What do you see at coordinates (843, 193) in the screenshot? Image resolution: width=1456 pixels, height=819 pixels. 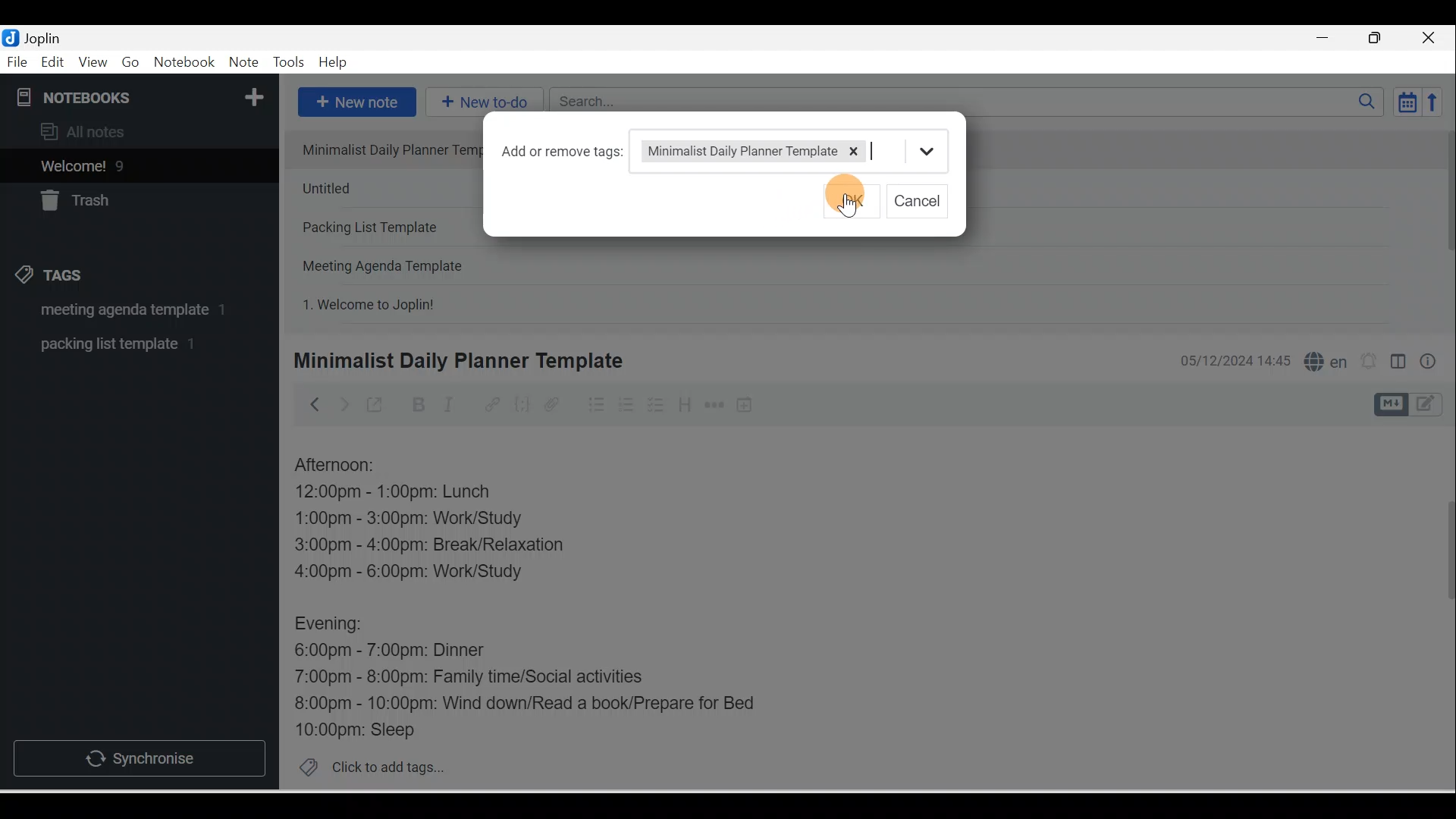 I see `Cursor` at bounding box center [843, 193].